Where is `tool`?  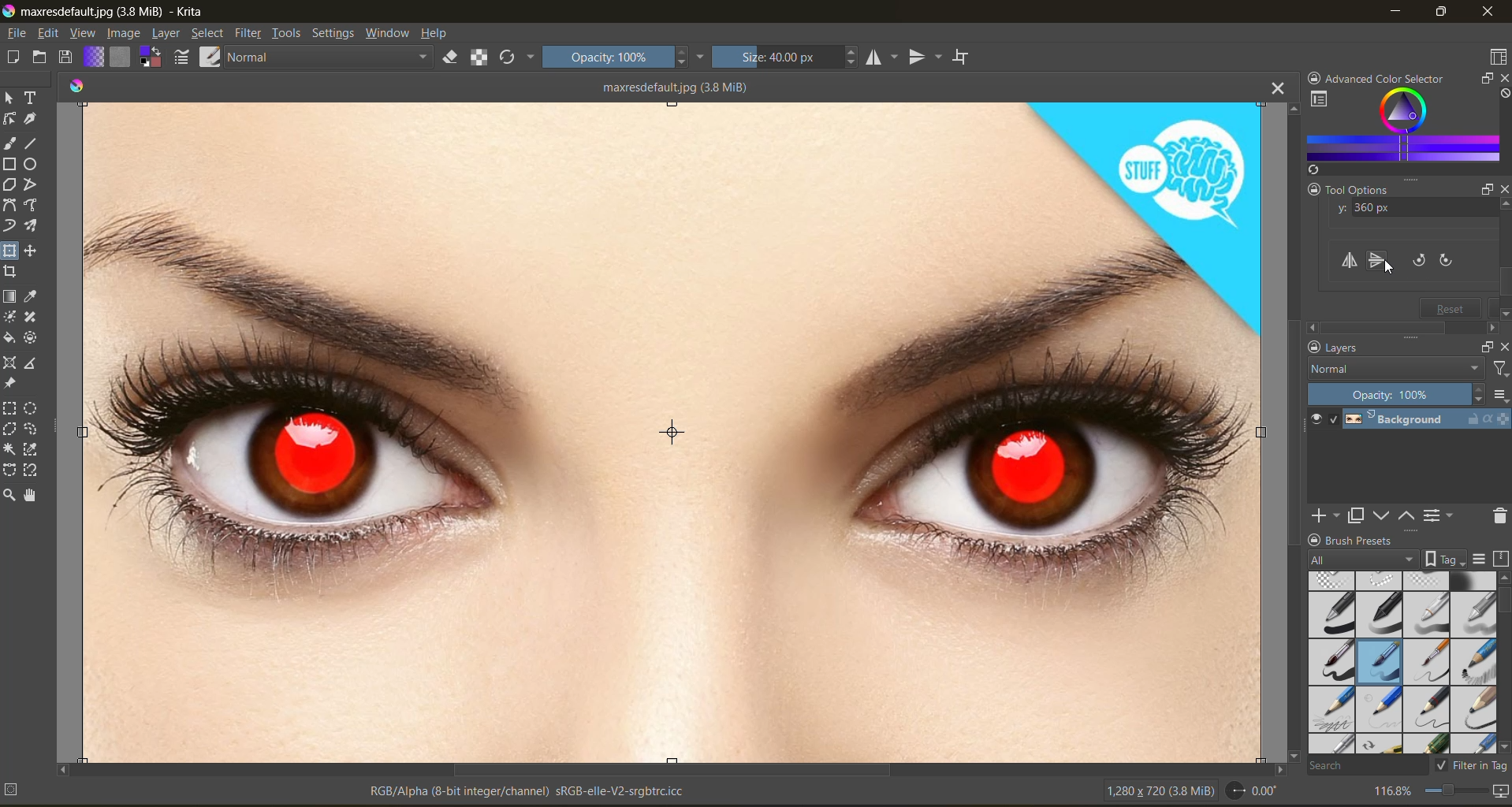 tool is located at coordinates (11, 494).